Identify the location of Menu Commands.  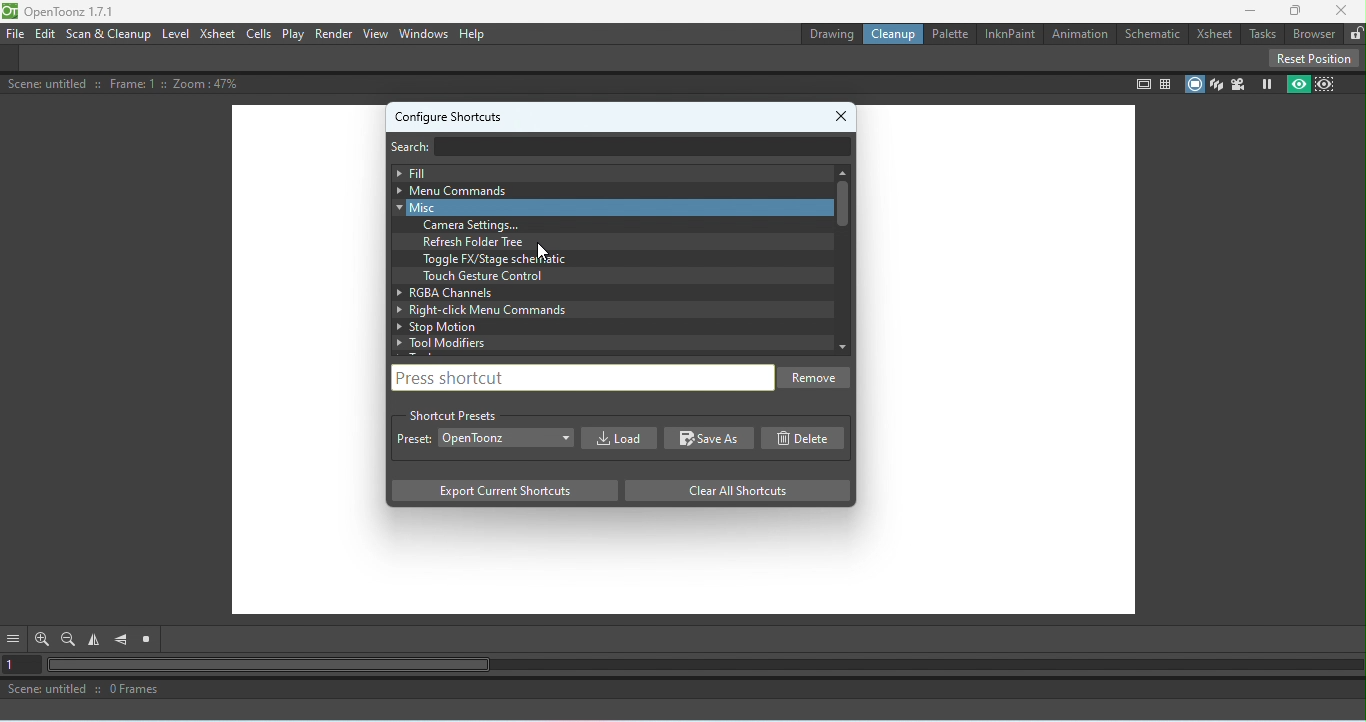
(604, 190).